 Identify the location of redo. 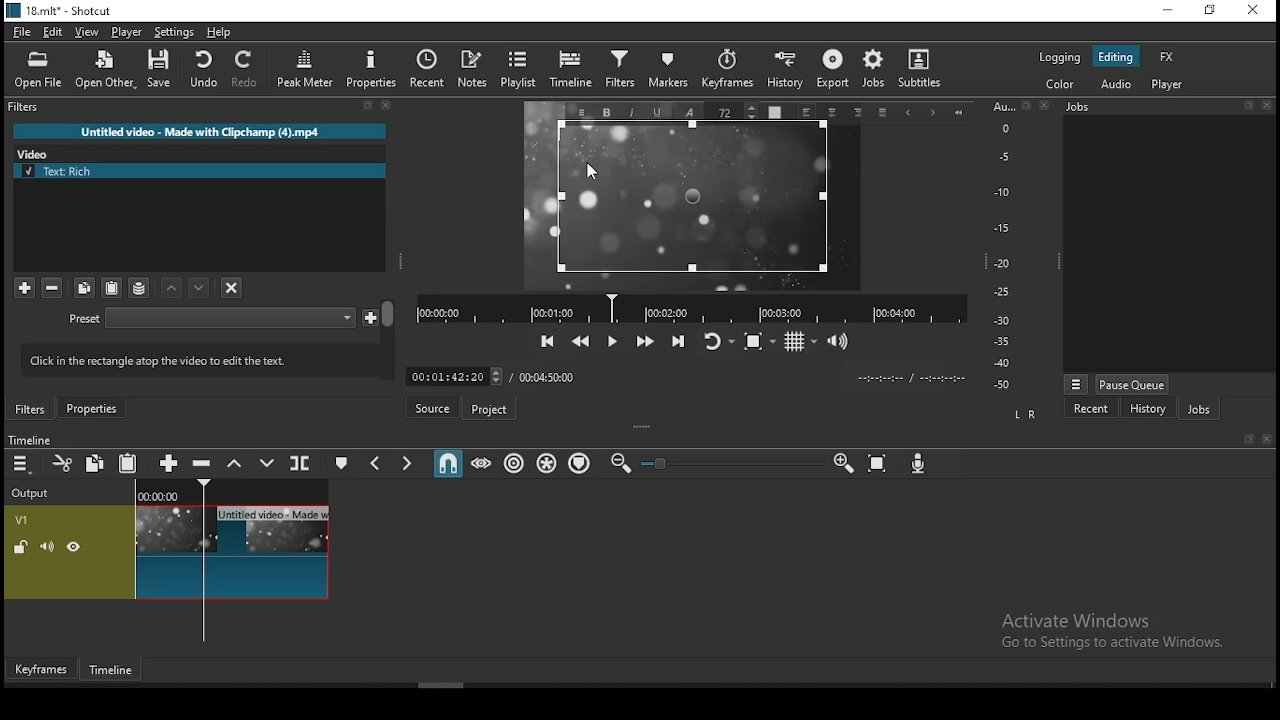
(246, 69).